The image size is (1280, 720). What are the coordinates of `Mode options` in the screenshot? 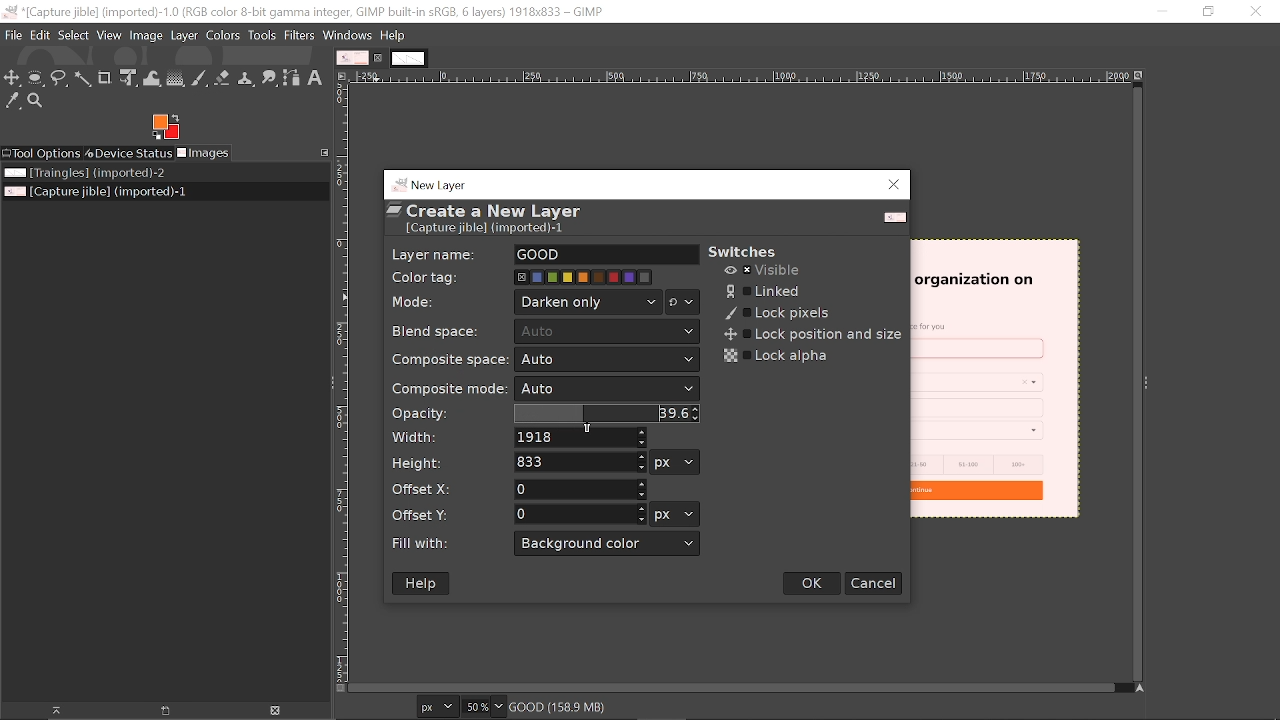 It's located at (683, 304).